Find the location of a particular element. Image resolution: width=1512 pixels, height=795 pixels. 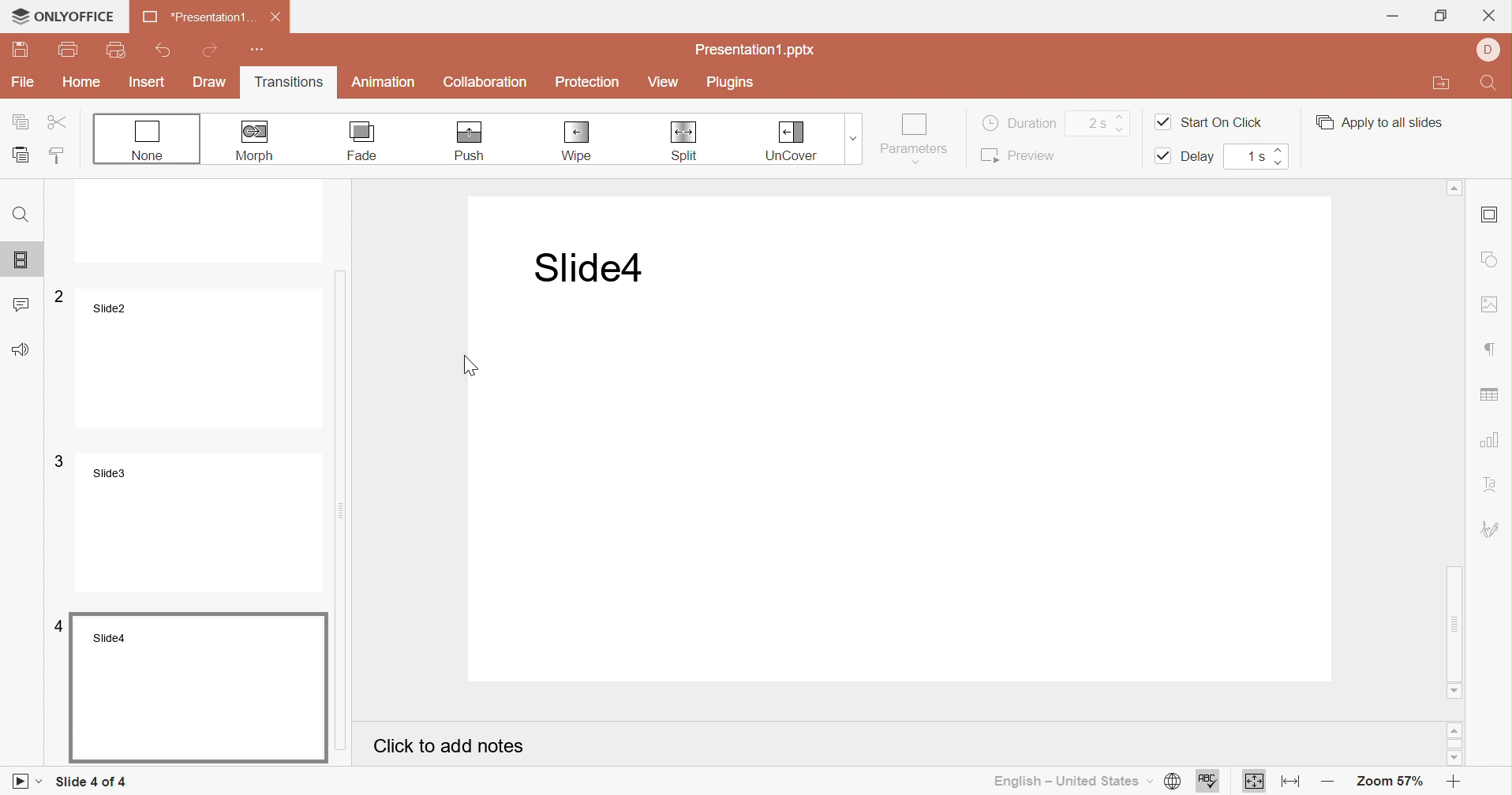

Un-Cover is located at coordinates (791, 141).